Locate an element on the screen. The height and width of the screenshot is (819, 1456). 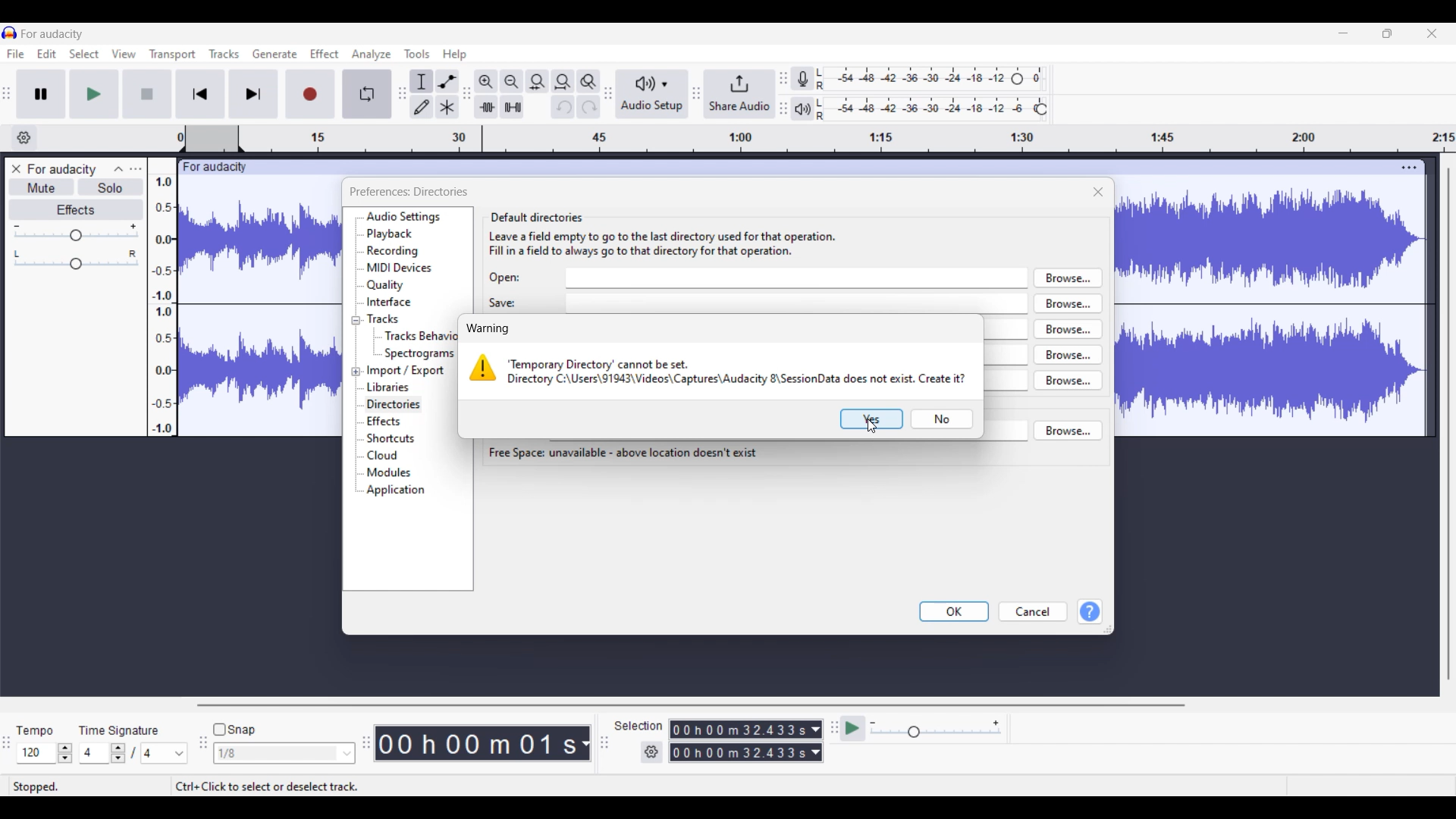
“Temporary Directory’ cannot be set.
Directory C:\Users\91943\Videos\ Captures\Audacity 8\SessionData does not exist. Create it? is located at coordinates (744, 370).